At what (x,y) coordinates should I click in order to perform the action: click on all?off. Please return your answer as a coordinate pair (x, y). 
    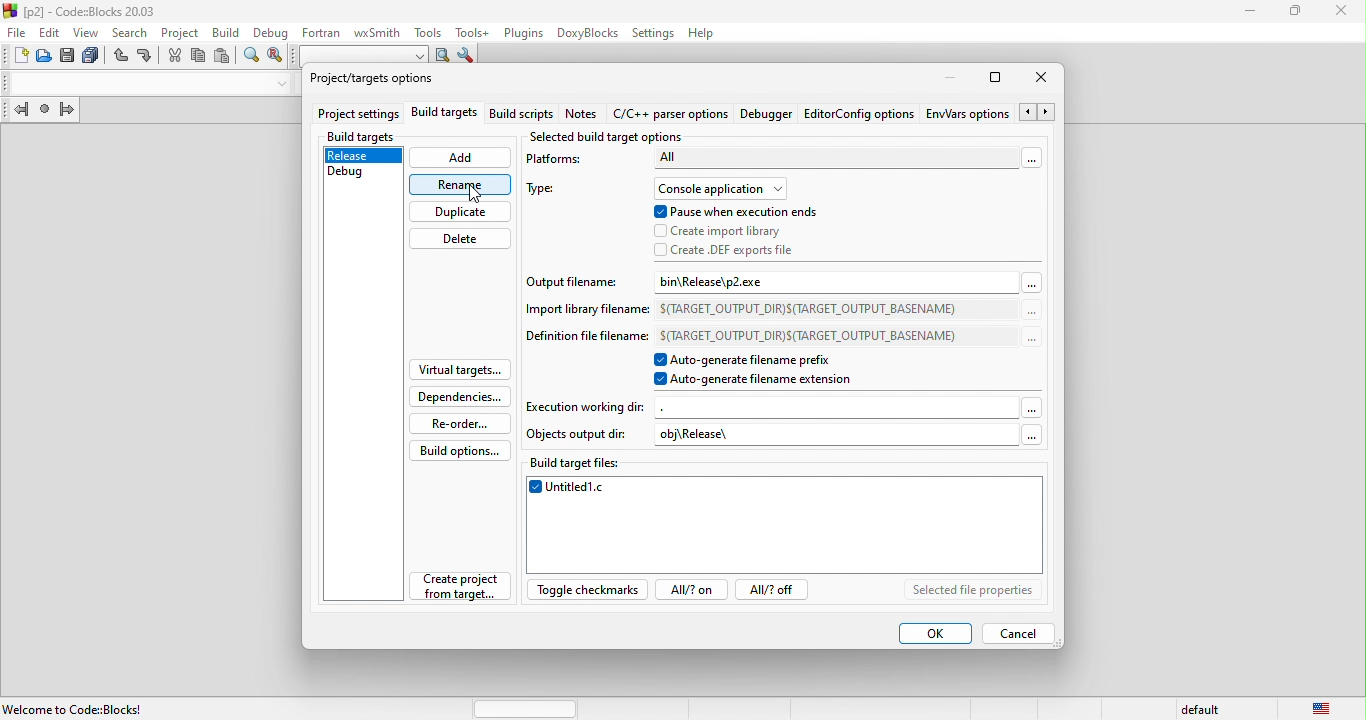
    Looking at the image, I should click on (776, 591).